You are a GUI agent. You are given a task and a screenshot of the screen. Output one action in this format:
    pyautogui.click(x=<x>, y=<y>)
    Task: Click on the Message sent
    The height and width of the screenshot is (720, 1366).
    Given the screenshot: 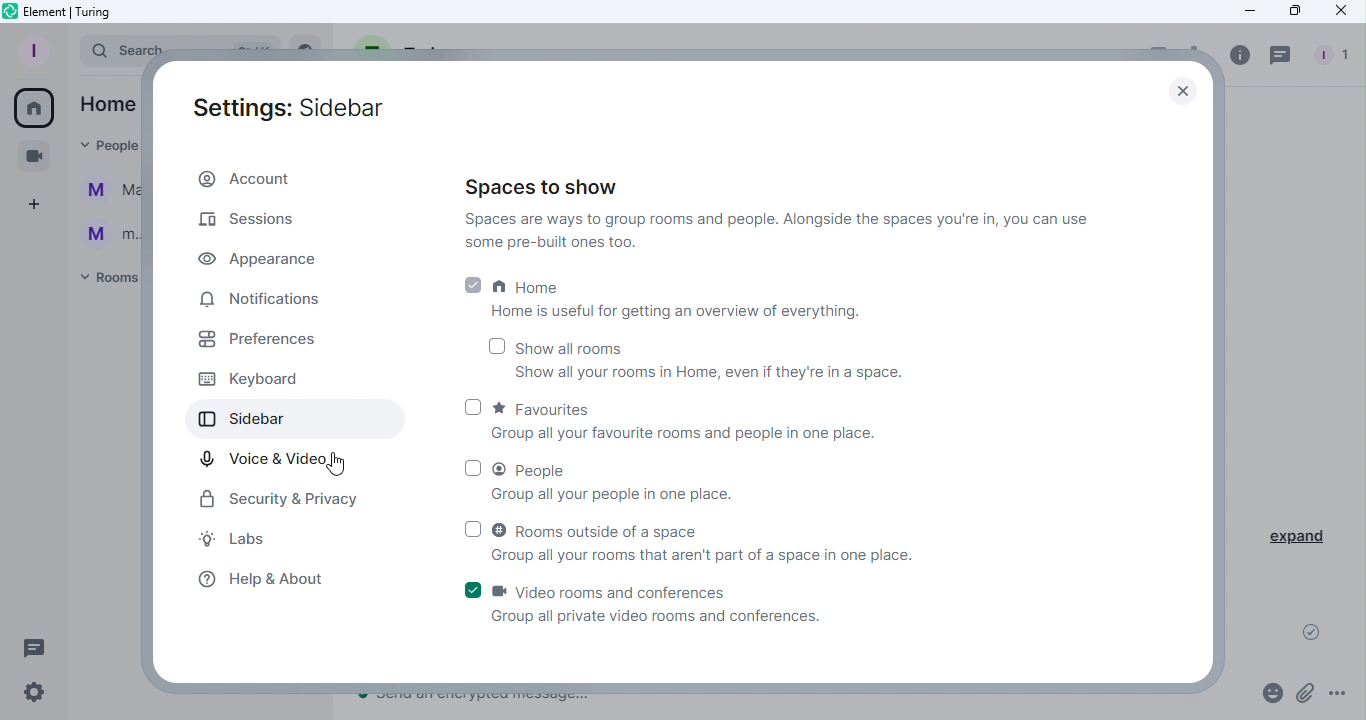 What is the action you would take?
    pyautogui.click(x=1304, y=632)
    